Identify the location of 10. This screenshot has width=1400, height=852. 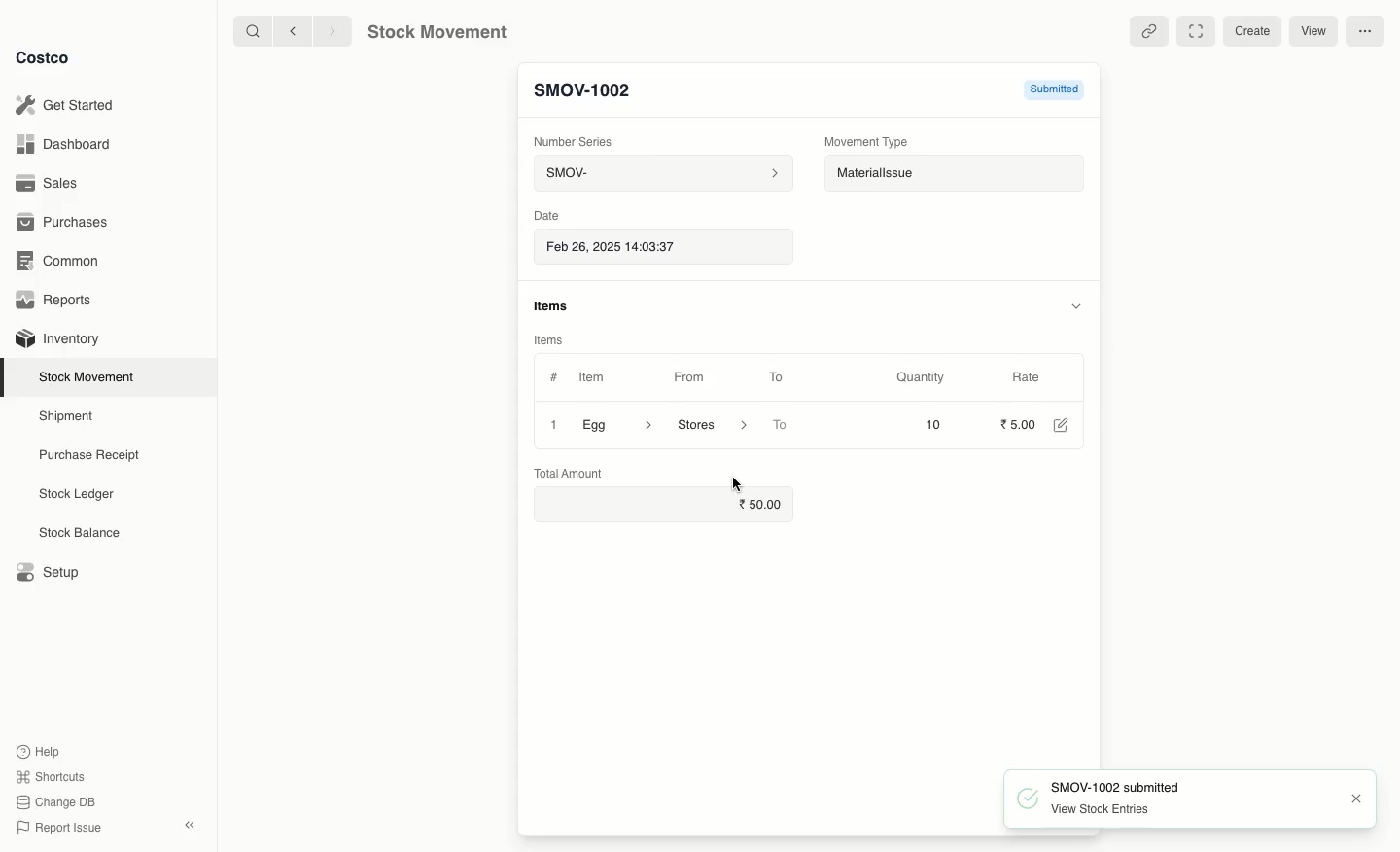
(908, 424).